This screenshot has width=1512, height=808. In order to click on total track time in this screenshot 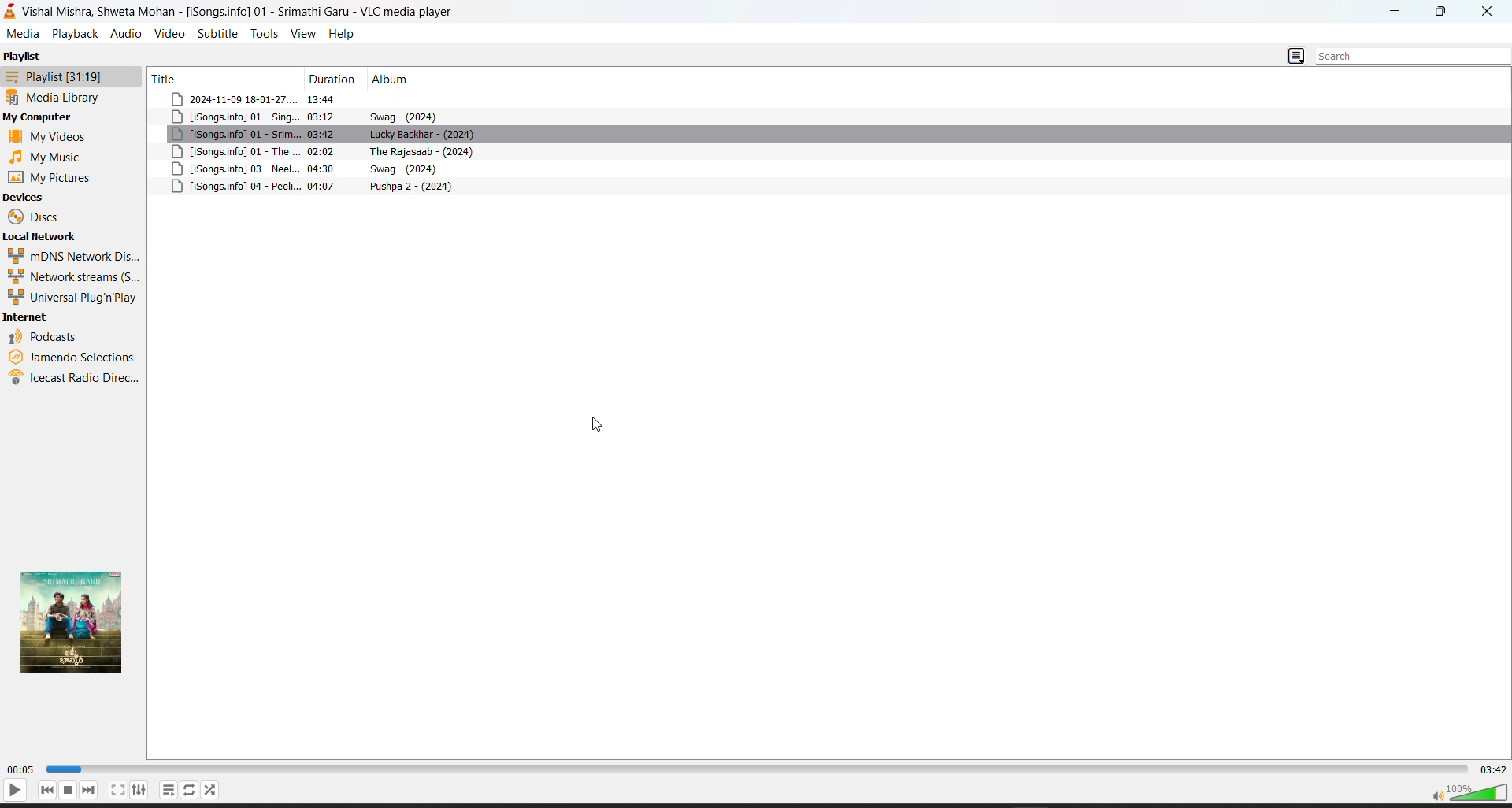, I will do `click(1492, 769)`.